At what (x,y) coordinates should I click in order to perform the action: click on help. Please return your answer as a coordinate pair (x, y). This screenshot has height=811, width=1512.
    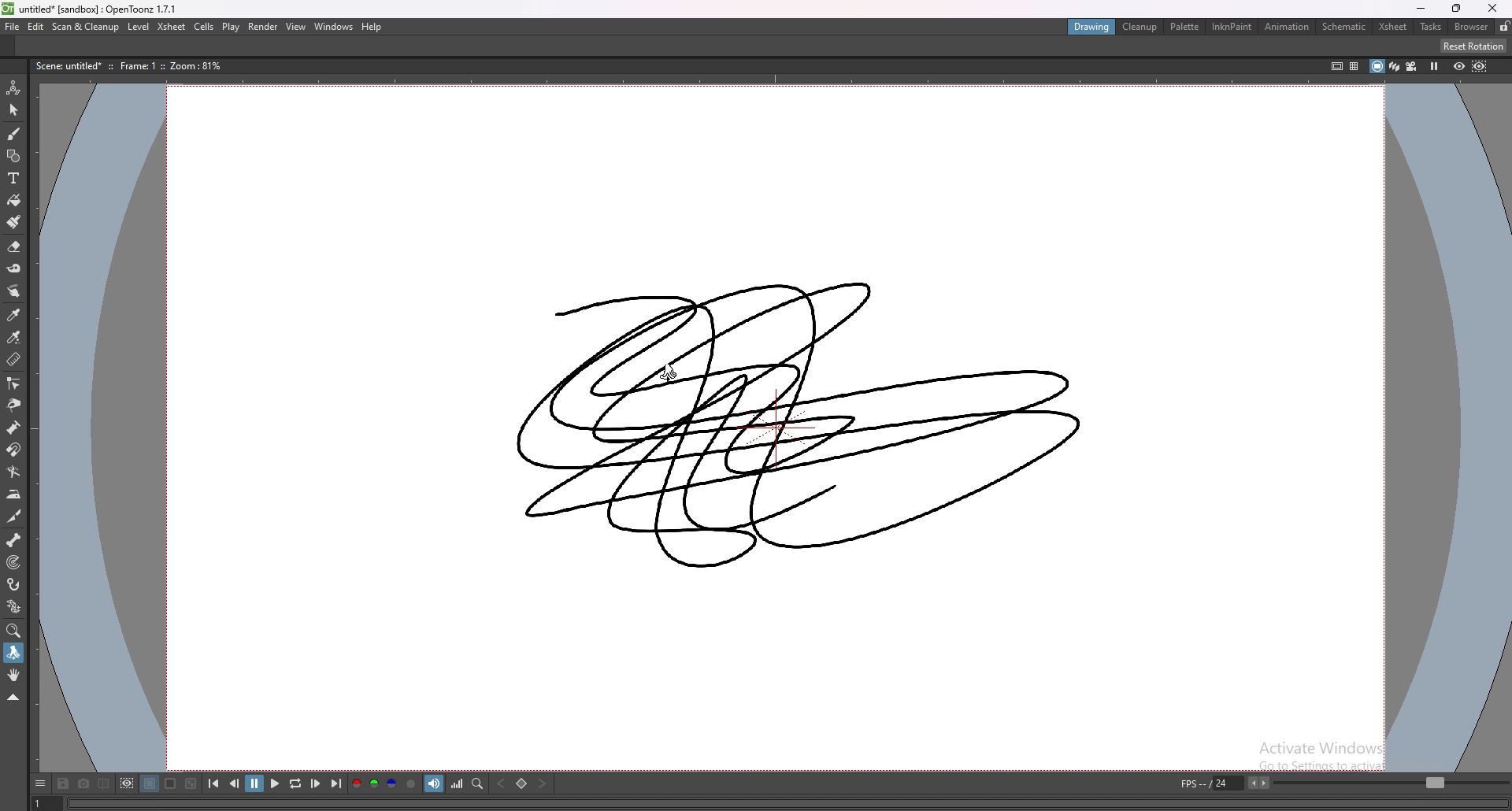
    Looking at the image, I should click on (372, 27).